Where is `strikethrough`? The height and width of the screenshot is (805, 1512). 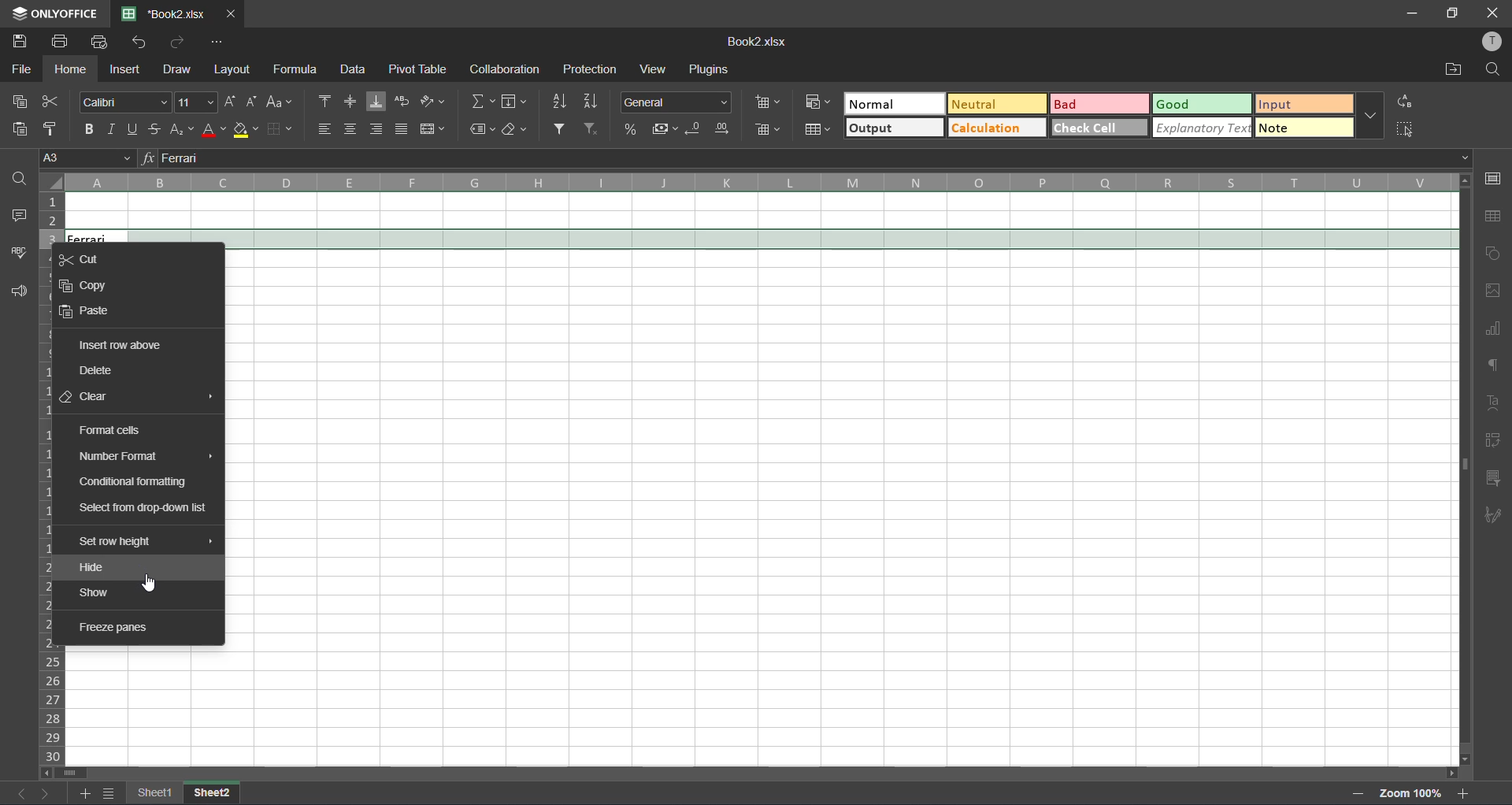
strikethrough is located at coordinates (155, 128).